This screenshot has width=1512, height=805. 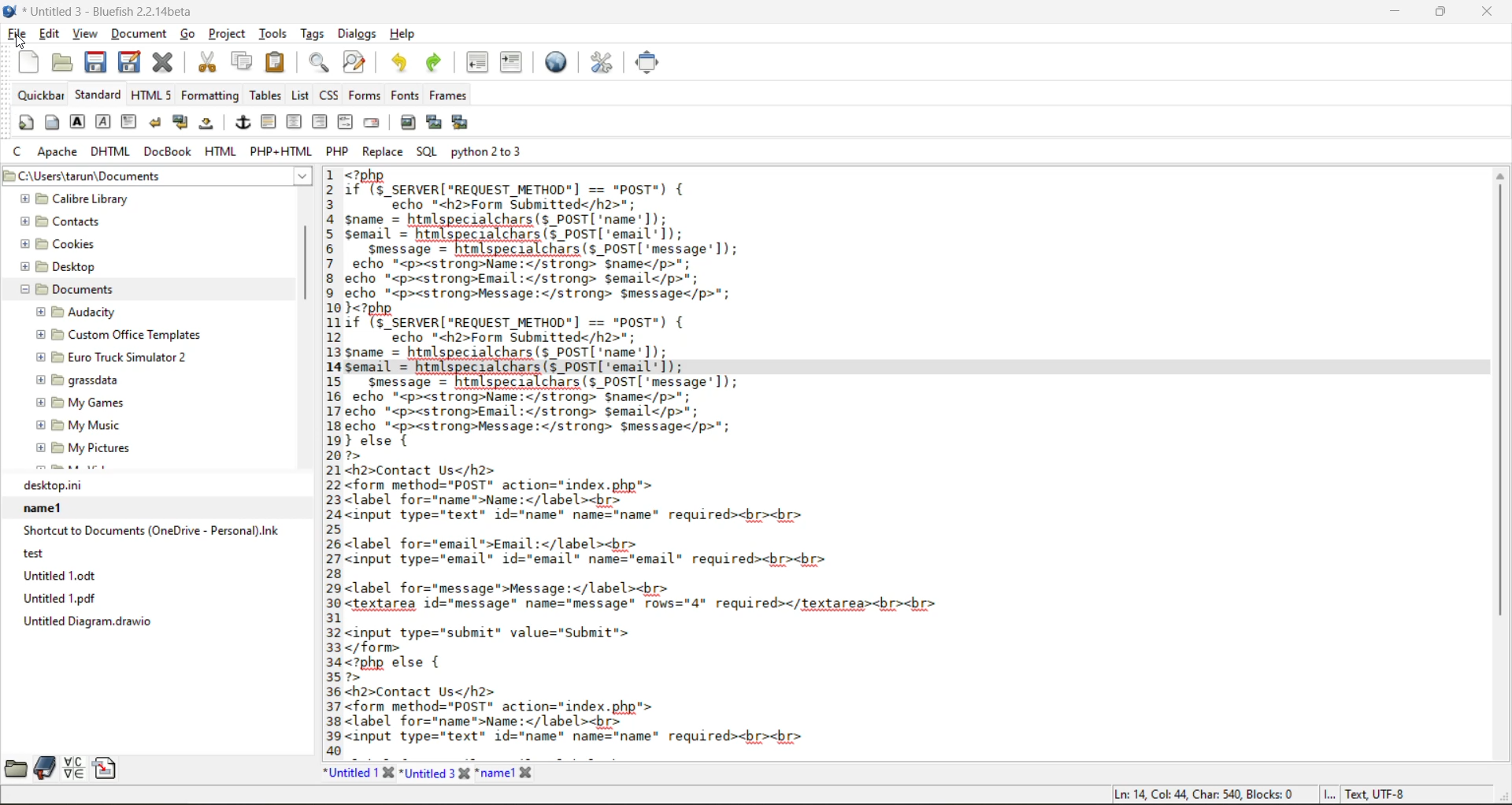 What do you see at coordinates (190, 34) in the screenshot?
I see `go` at bounding box center [190, 34].